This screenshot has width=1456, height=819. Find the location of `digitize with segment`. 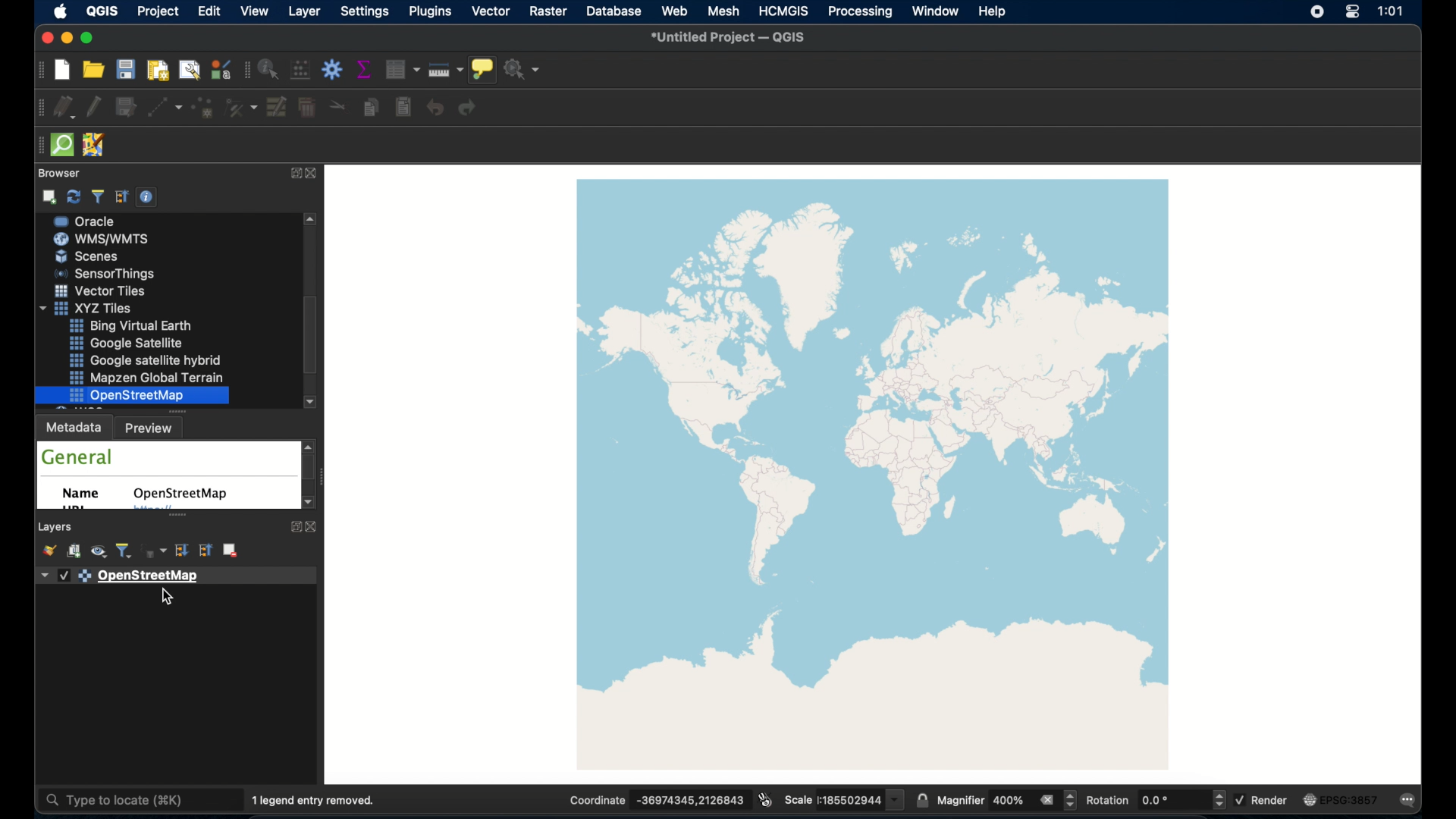

digitize with segment is located at coordinates (164, 110).